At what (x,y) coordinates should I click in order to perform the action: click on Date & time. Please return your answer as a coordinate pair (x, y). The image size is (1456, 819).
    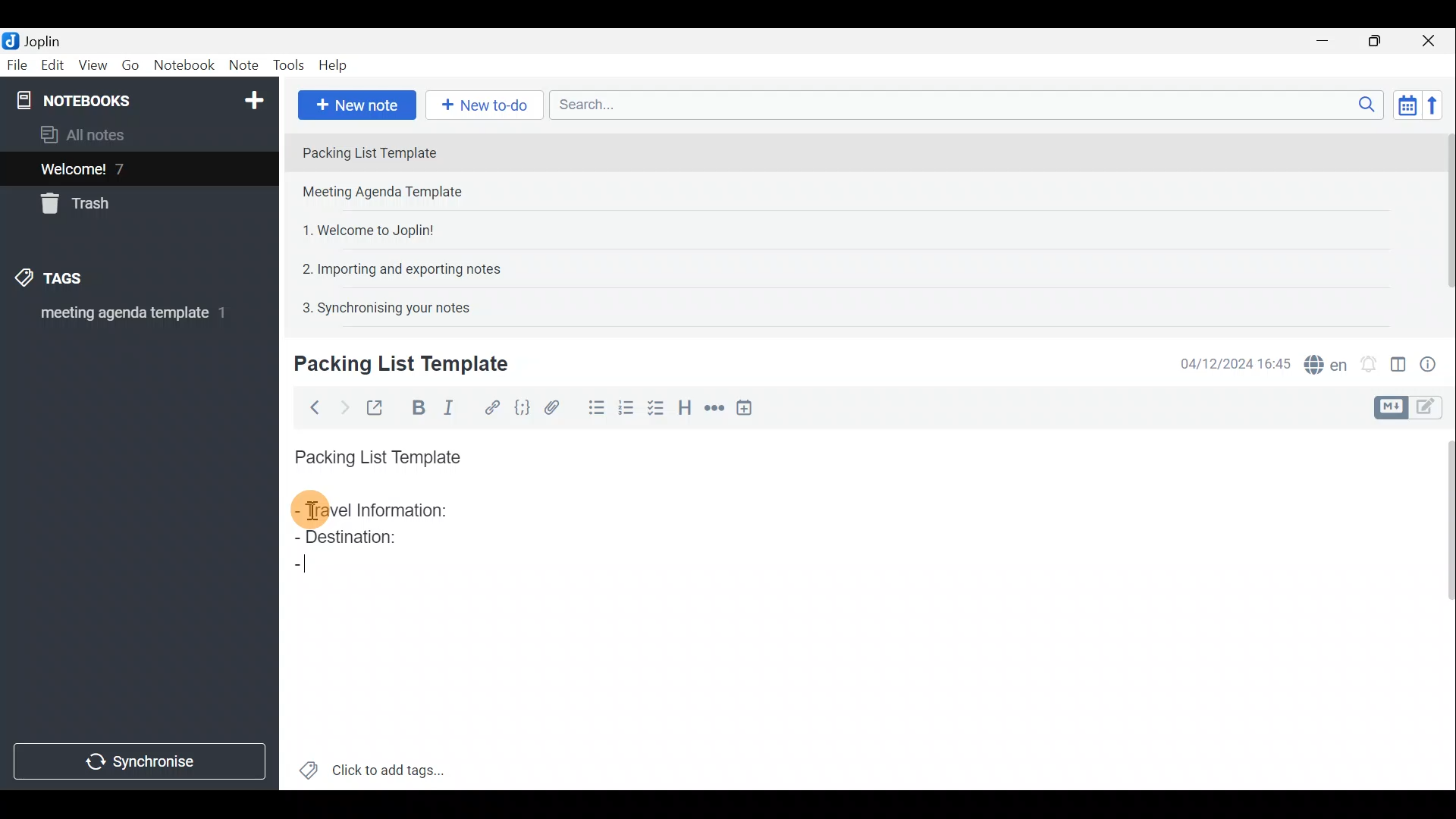
    Looking at the image, I should click on (1235, 362).